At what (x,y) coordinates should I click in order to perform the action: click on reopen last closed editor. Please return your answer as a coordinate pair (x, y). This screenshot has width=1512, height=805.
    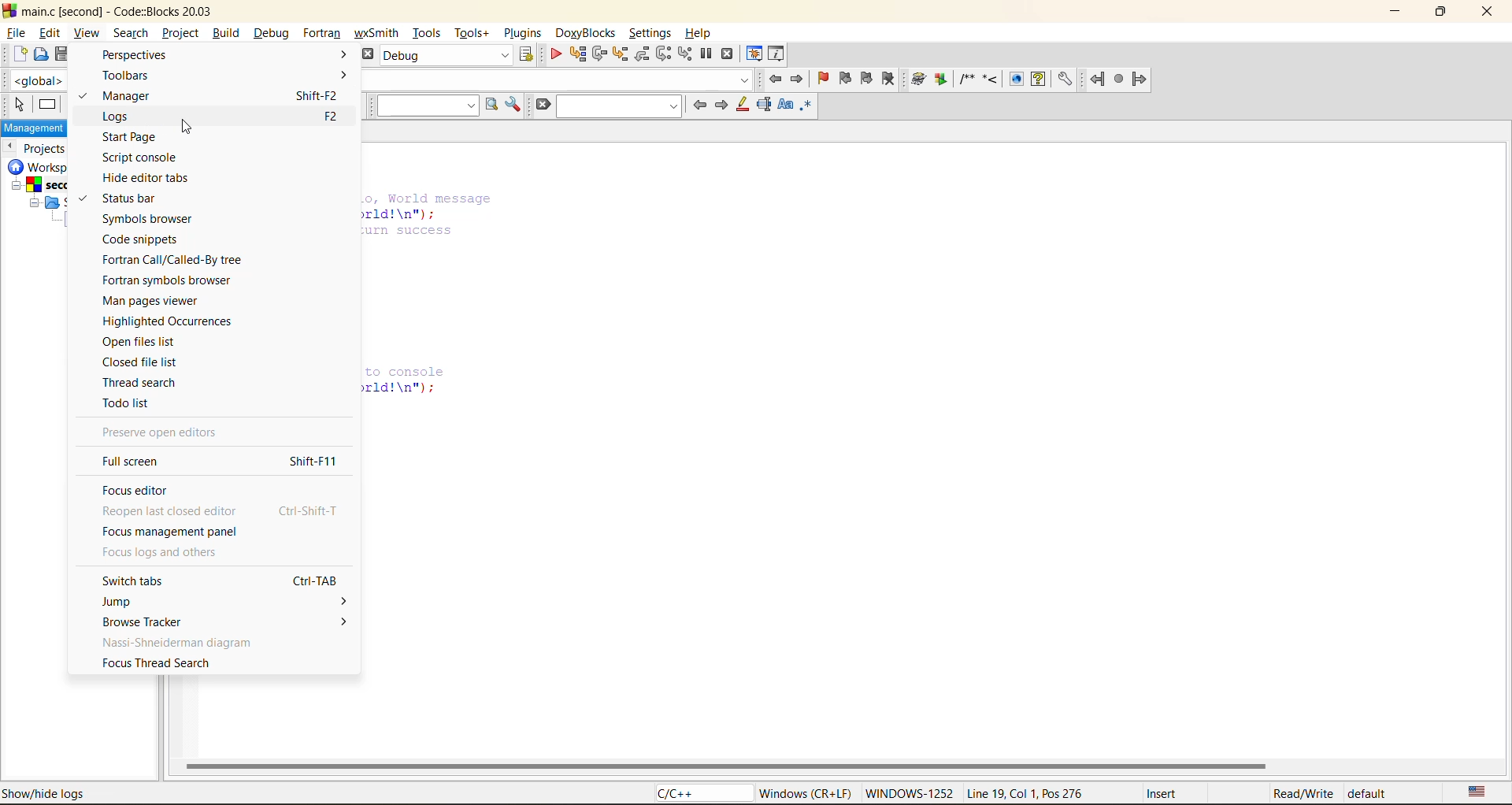
    Looking at the image, I should click on (169, 511).